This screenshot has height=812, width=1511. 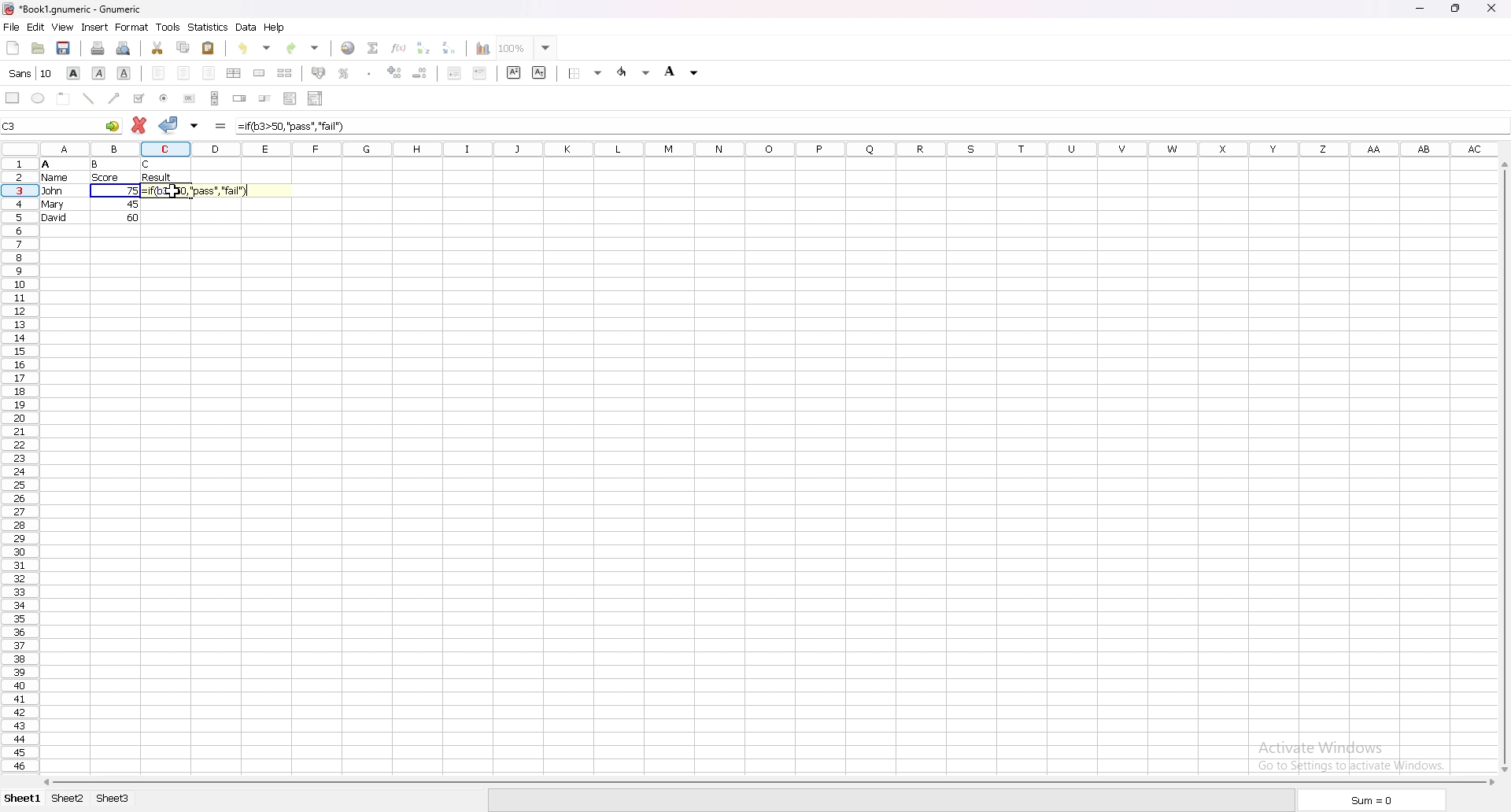 What do you see at coordinates (371, 74) in the screenshot?
I see `thousand separator` at bounding box center [371, 74].